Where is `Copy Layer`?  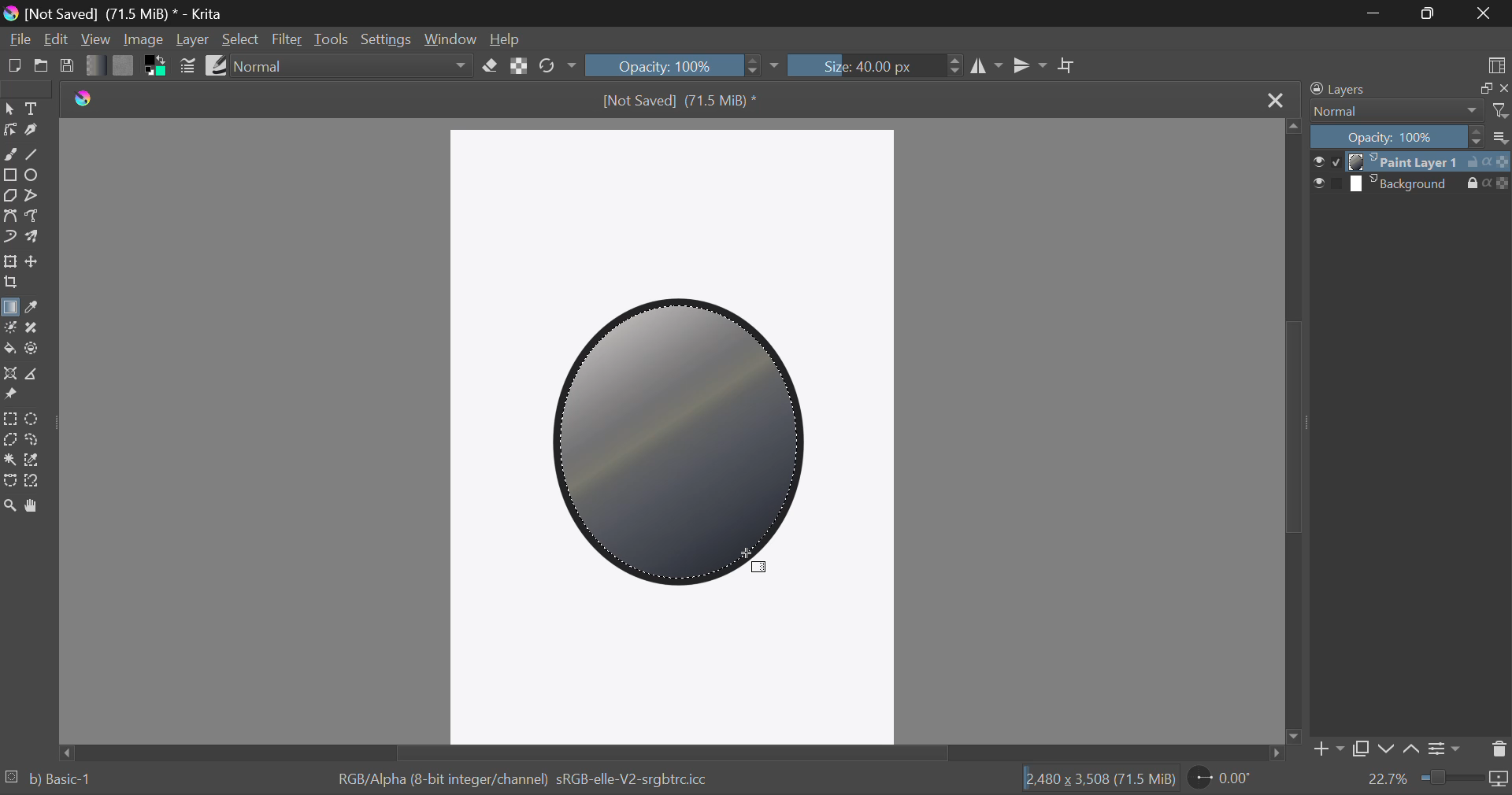 Copy Layer is located at coordinates (1362, 749).